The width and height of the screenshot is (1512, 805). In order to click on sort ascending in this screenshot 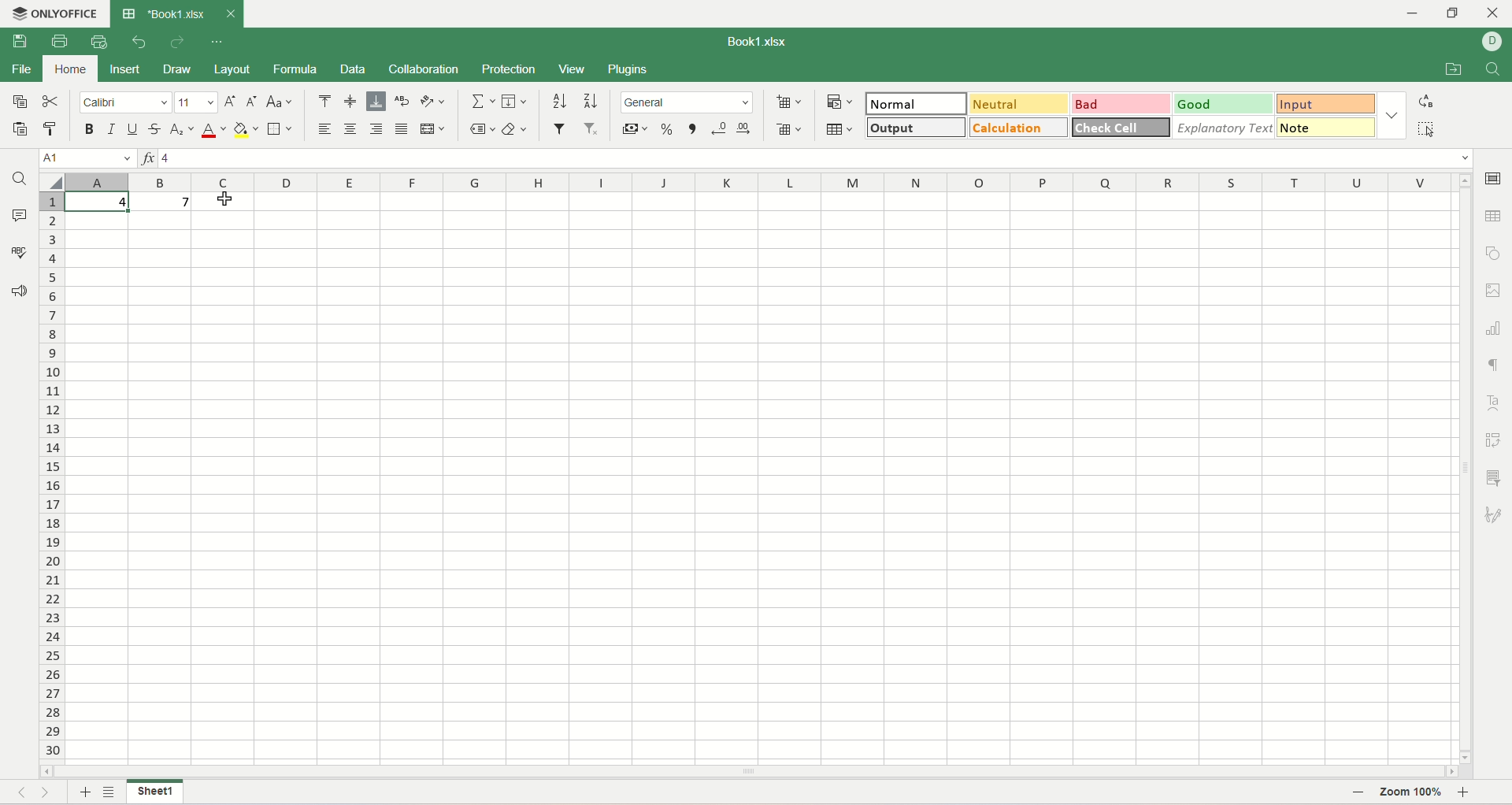, I will do `click(558, 101)`.